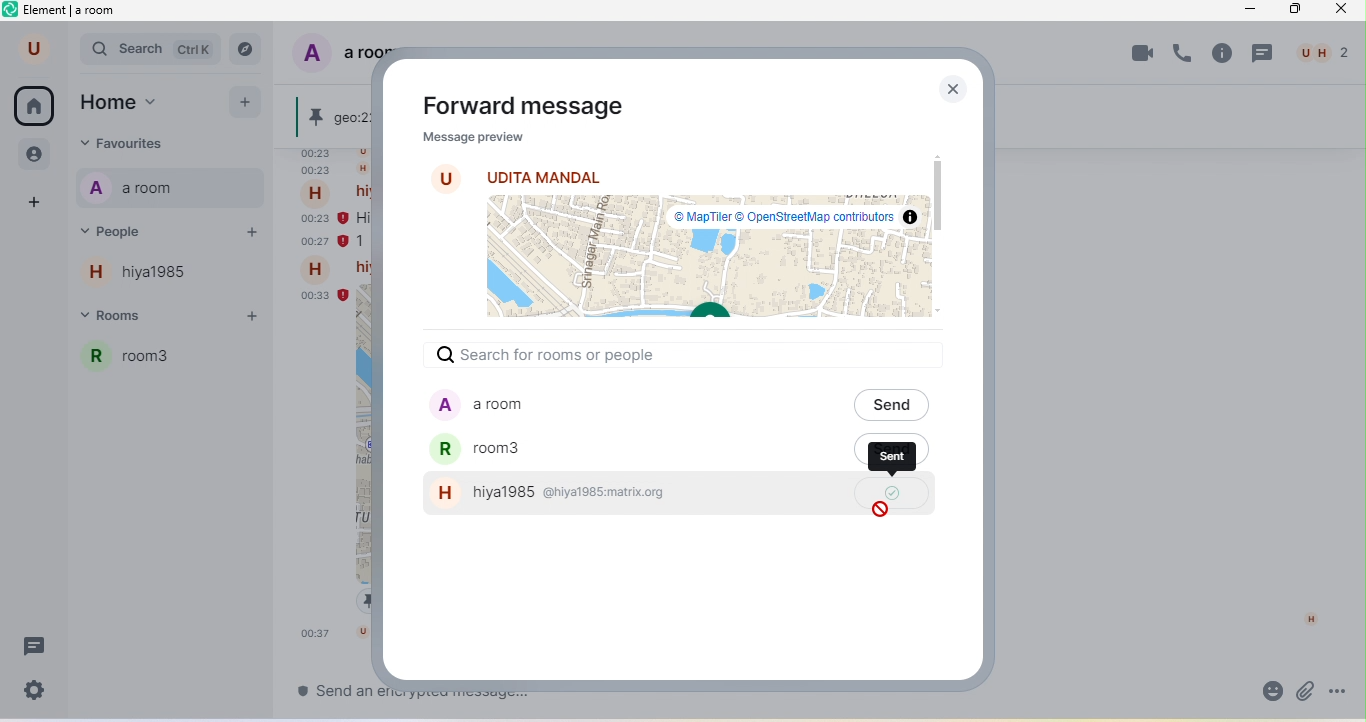  Describe the element at coordinates (32, 155) in the screenshot. I see `people` at that location.